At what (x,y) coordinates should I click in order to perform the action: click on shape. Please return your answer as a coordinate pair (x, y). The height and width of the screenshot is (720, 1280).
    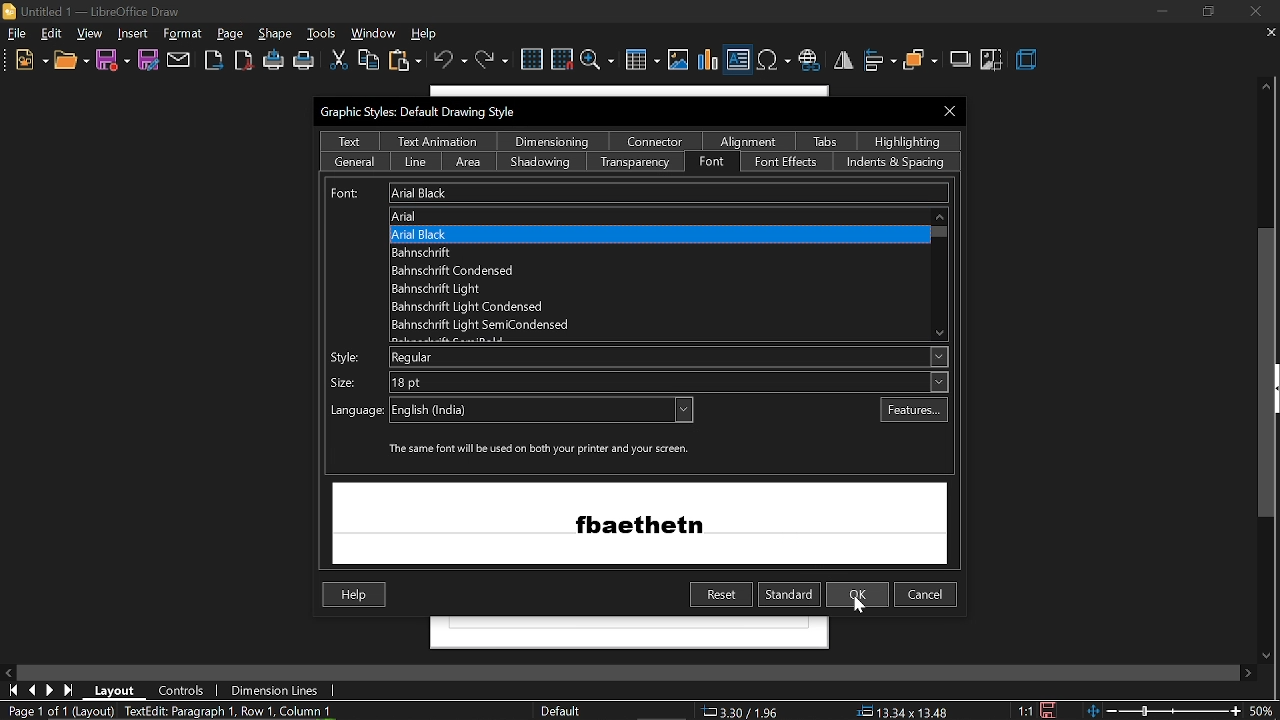
    Looking at the image, I should click on (132, 34).